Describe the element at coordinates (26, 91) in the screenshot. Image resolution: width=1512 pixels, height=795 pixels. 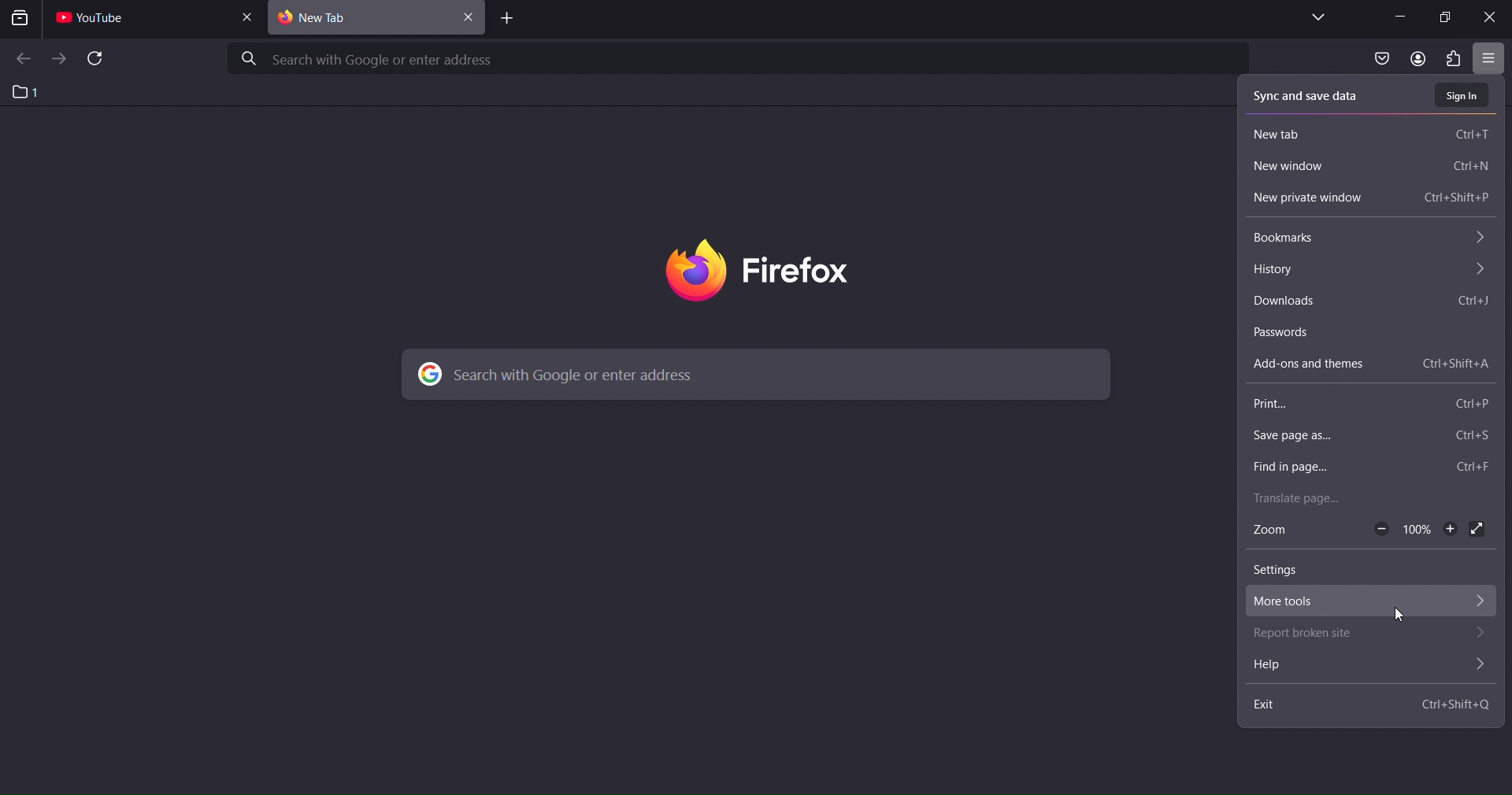
I see `1` at that location.